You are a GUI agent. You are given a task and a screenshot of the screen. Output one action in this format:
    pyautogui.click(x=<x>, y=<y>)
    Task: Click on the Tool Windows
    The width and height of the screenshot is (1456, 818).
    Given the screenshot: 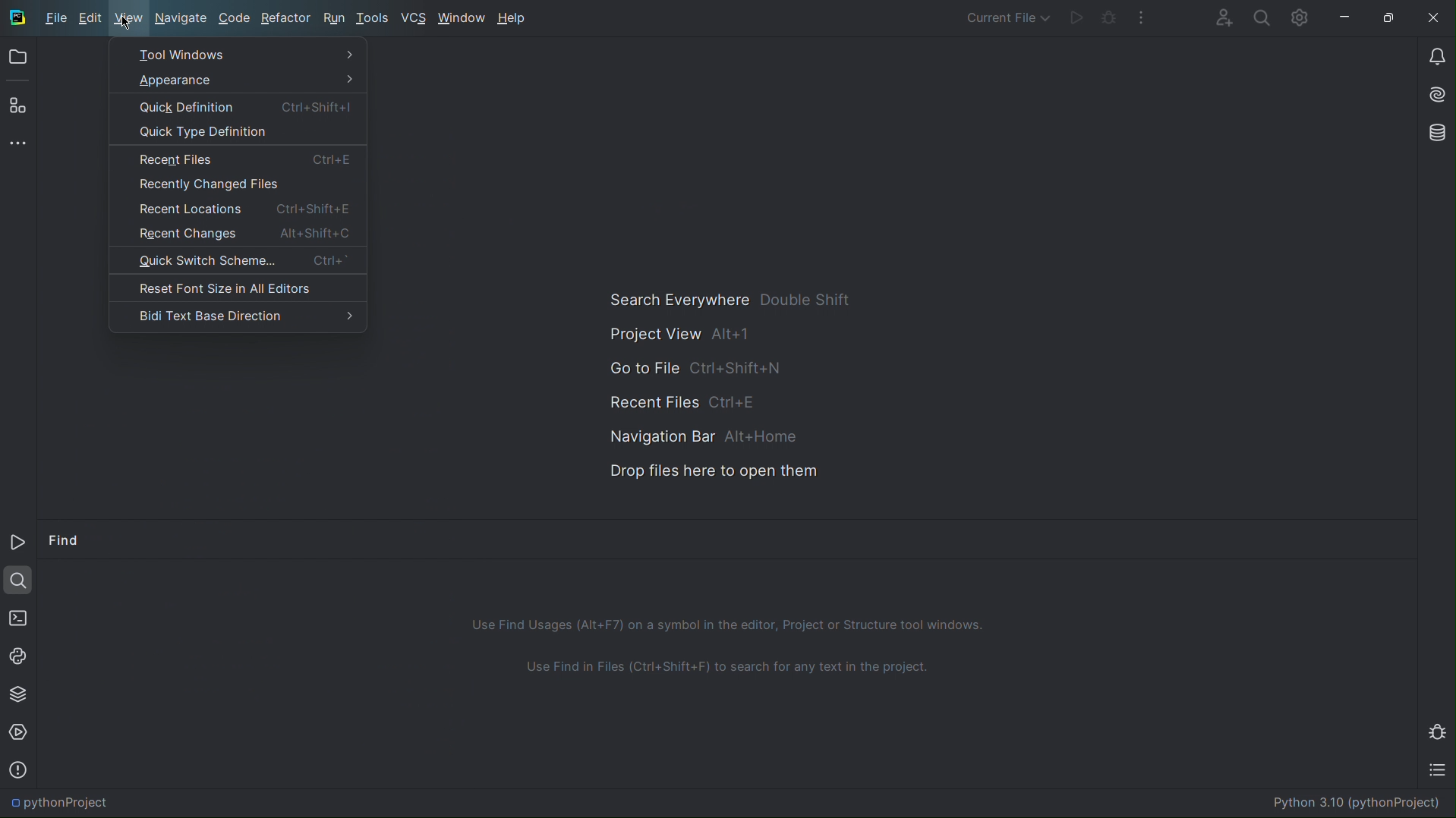 What is the action you would take?
    pyautogui.click(x=239, y=55)
    